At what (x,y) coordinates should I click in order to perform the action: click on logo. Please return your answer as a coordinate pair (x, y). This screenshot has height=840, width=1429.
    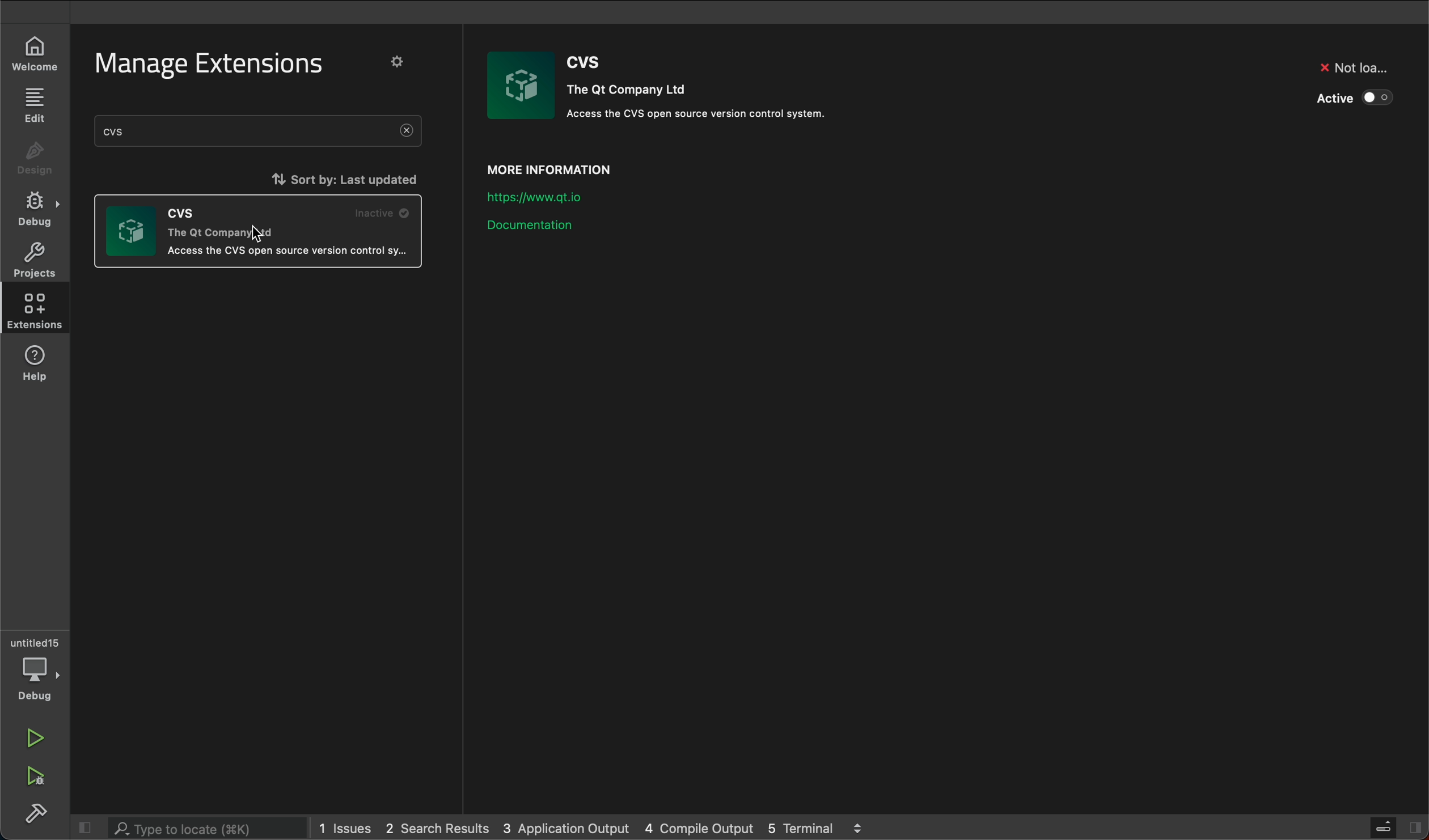
    Looking at the image, I should click on (525, 85).